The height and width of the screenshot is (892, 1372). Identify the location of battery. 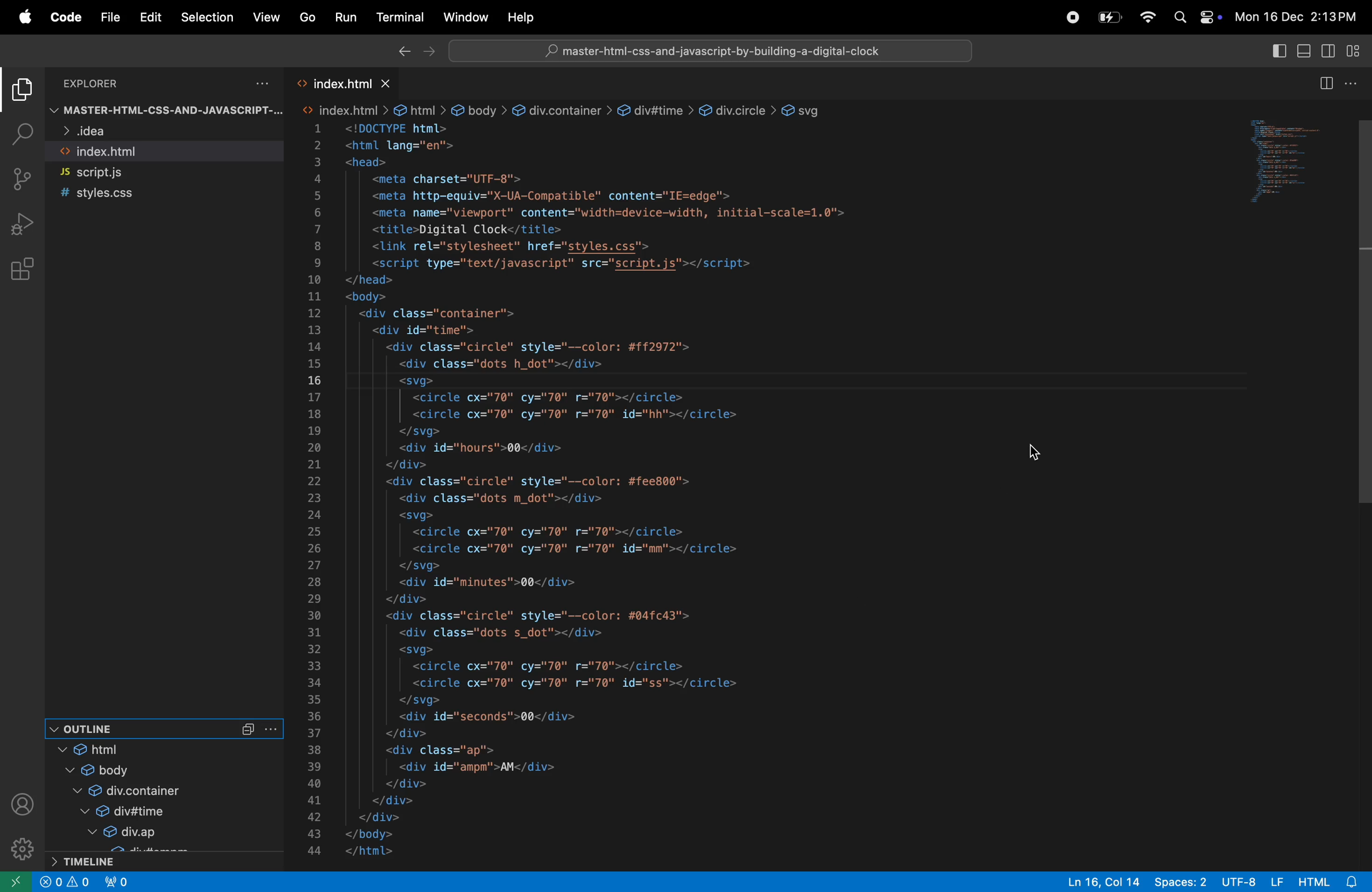
(1109, 17).